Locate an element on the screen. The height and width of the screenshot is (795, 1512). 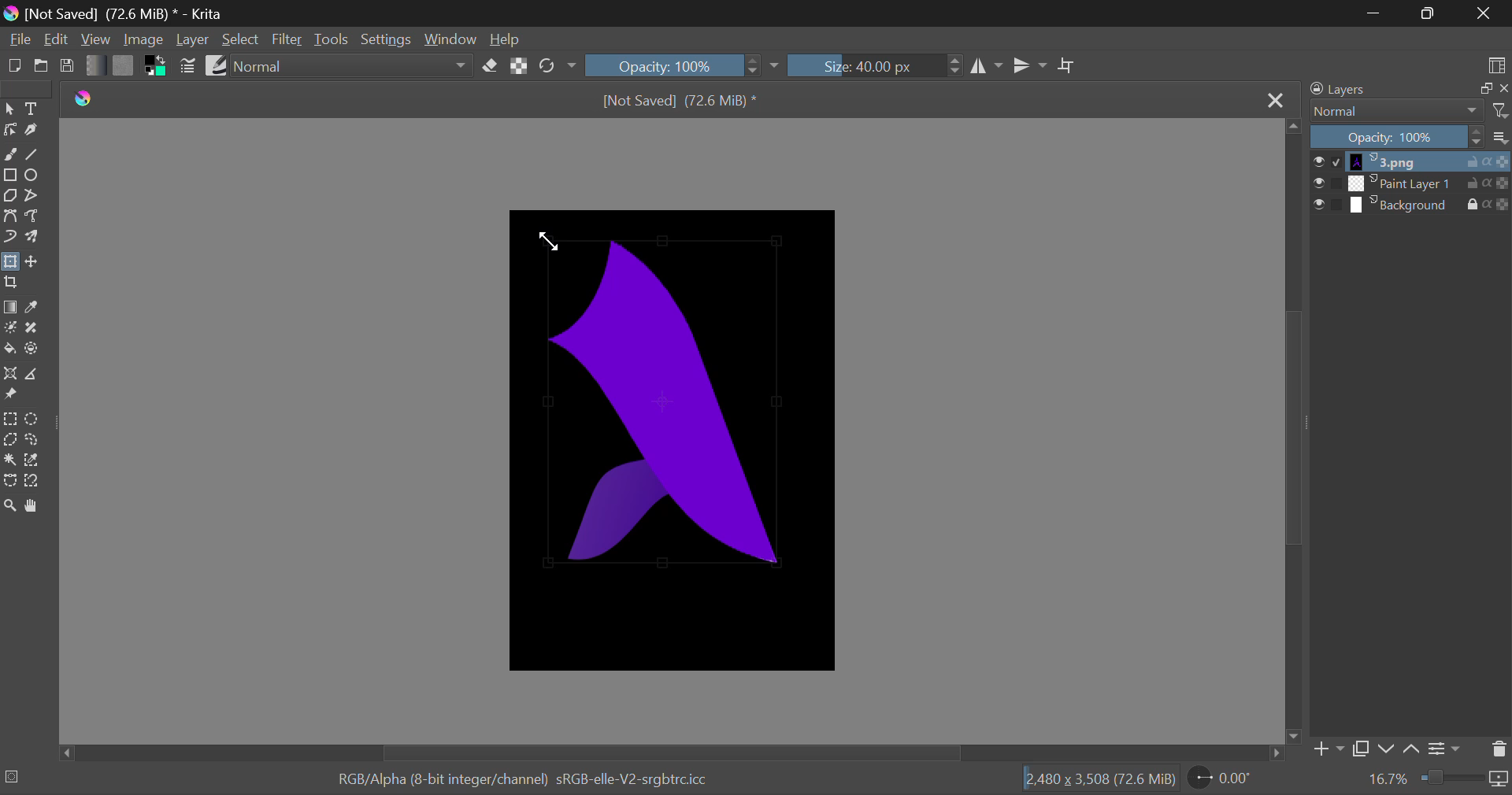
Scroll Bar is located at coordinates (1293, 431).